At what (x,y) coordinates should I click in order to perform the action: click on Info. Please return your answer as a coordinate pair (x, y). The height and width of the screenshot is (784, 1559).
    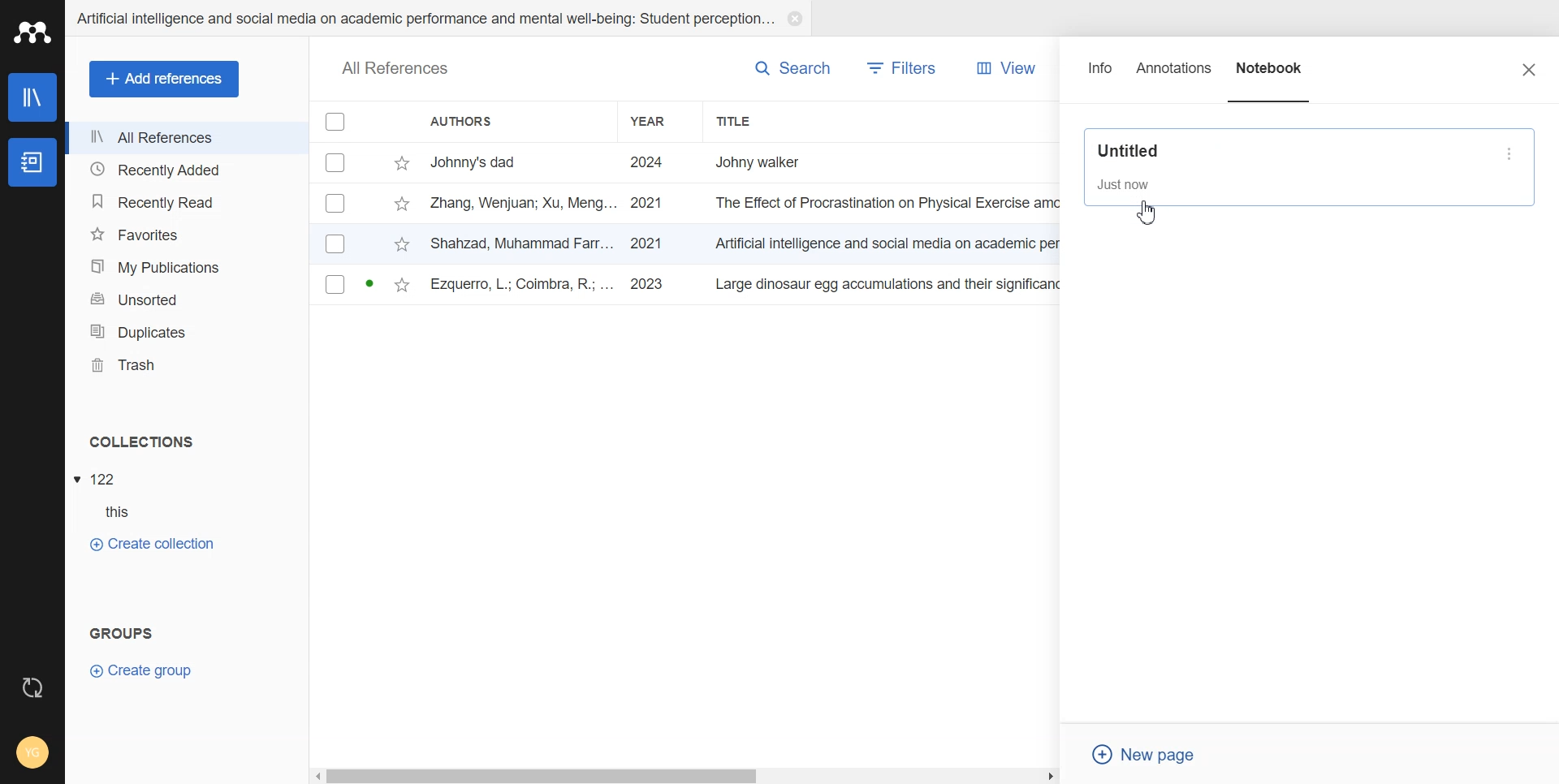
    Looking at the image, I should click on (1101, 75).